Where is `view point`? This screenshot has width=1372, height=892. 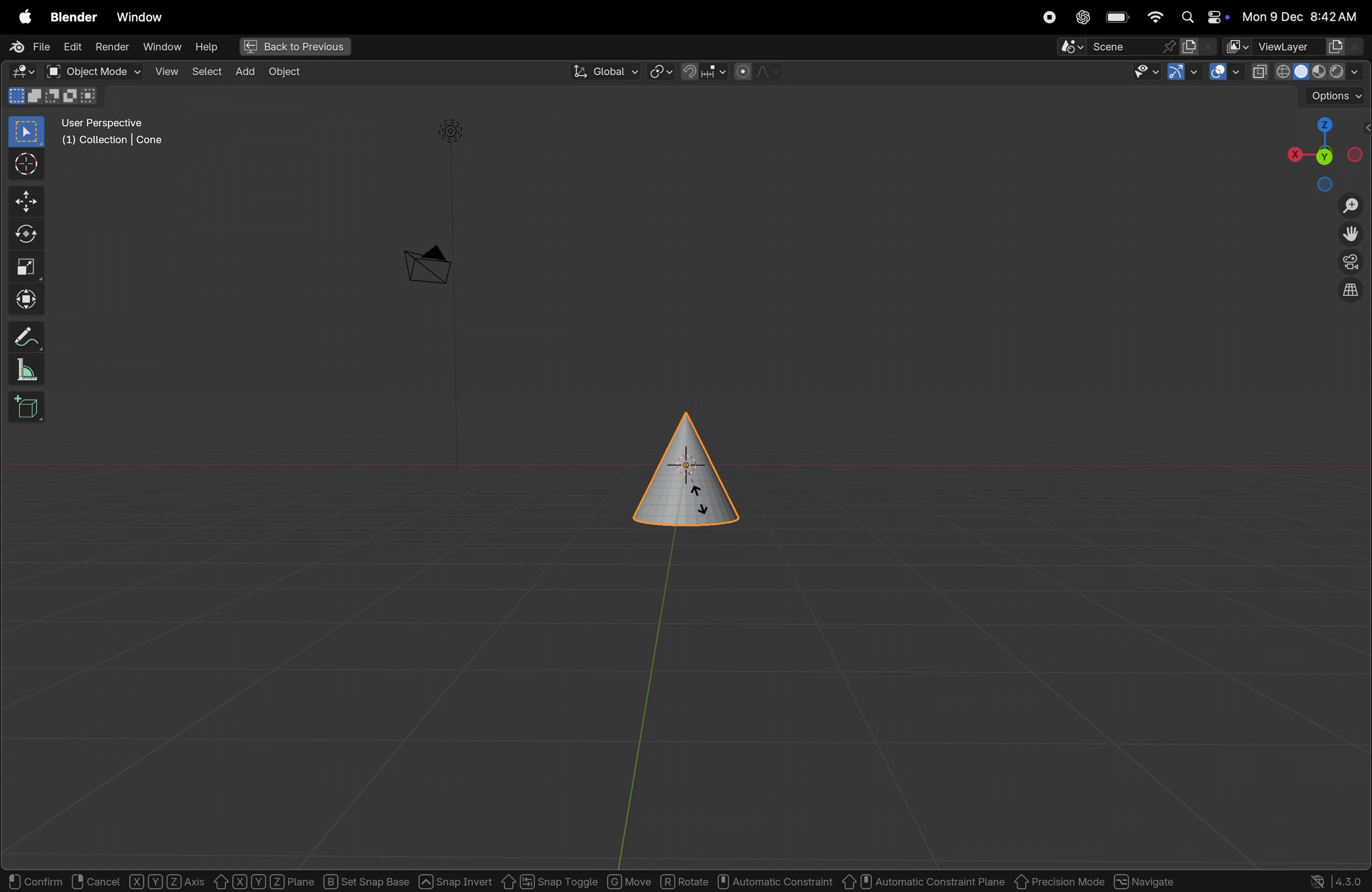
view point is located at coordinates (1319, 151).